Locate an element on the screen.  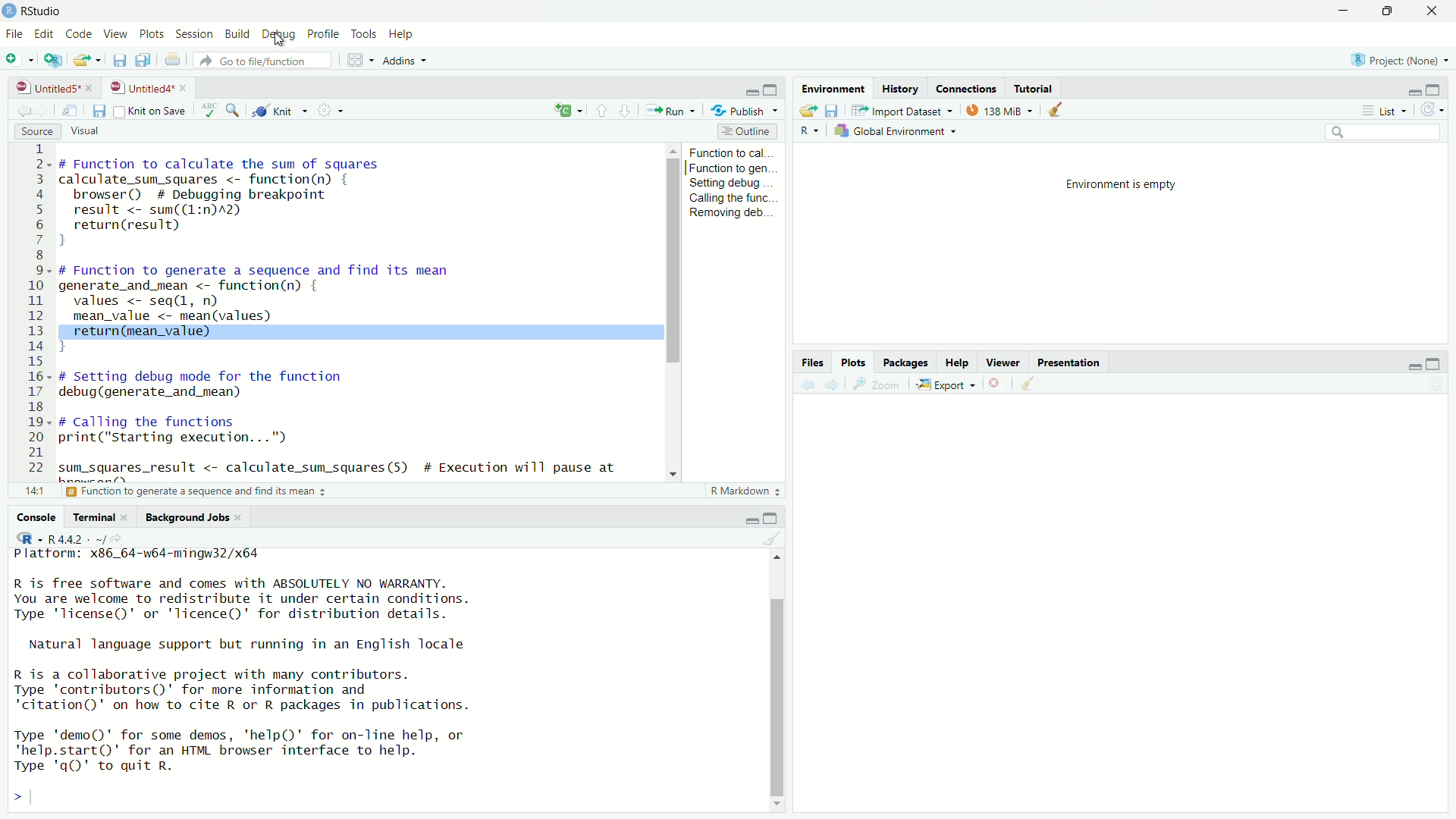
view the current working directory is located at coordinates (121, 538).